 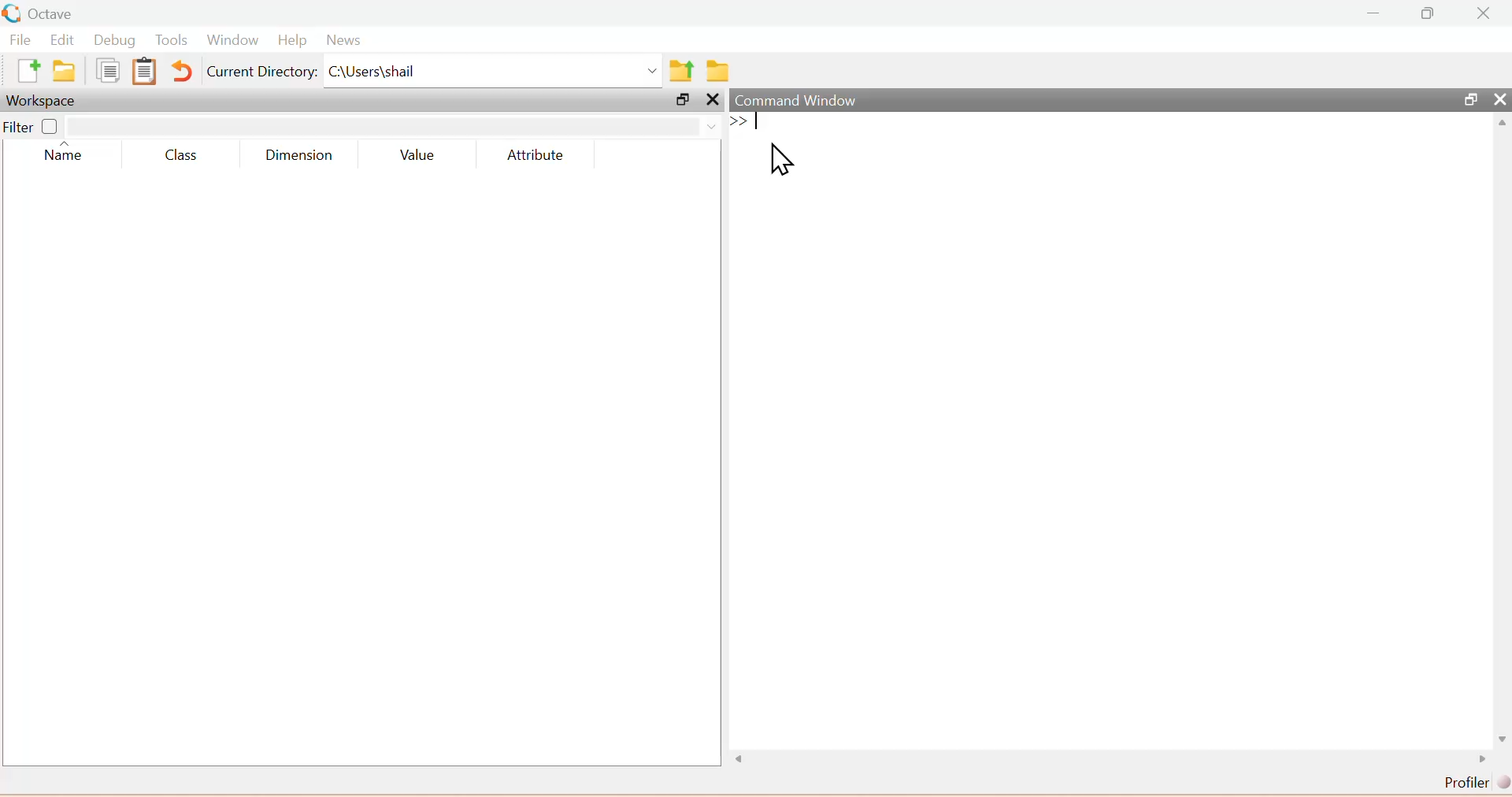 I want to click on Debug, so click(x=113, y=42).